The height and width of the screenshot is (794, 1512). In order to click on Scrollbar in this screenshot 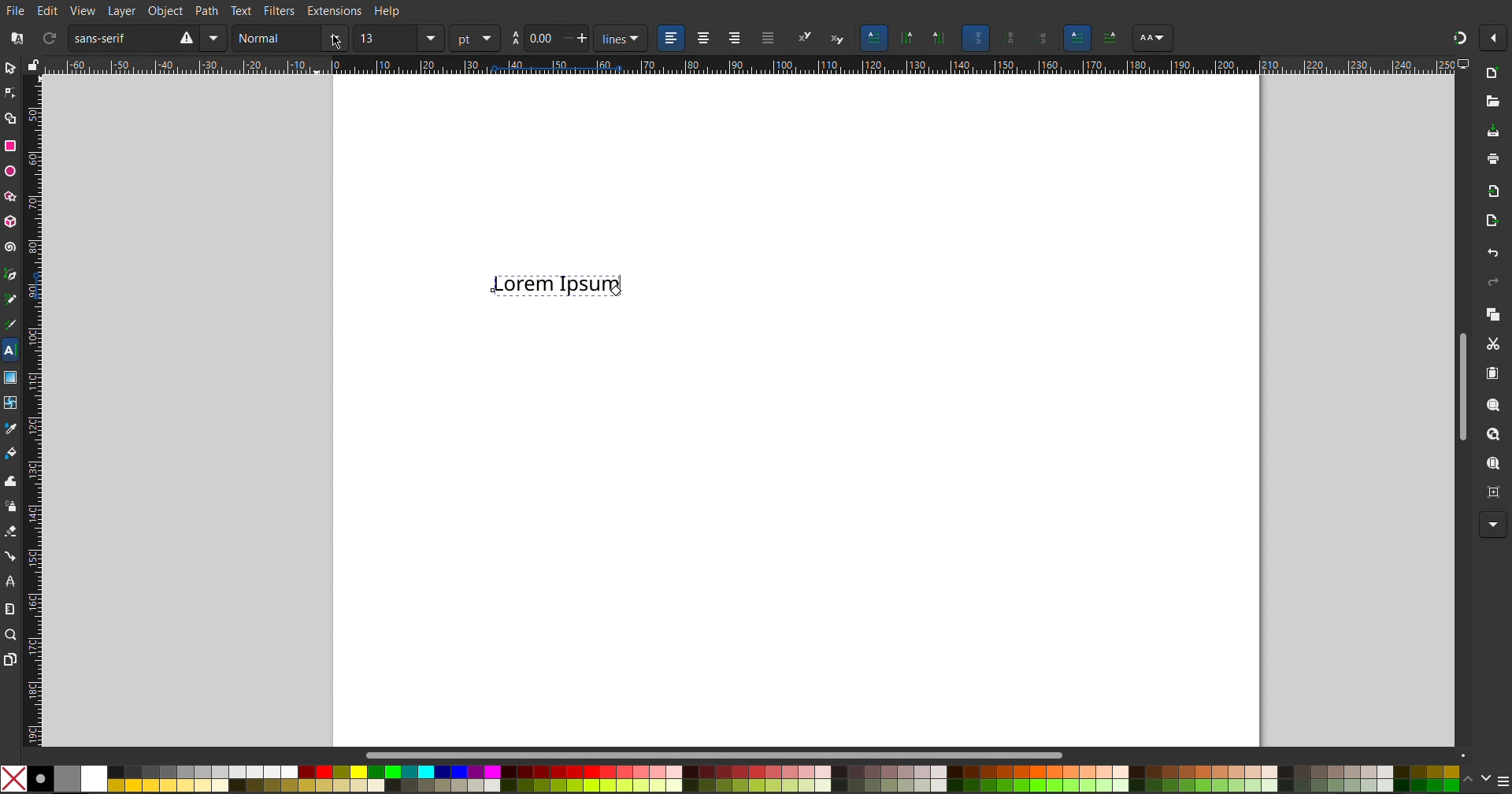, I will do `click(1462, 382)`.